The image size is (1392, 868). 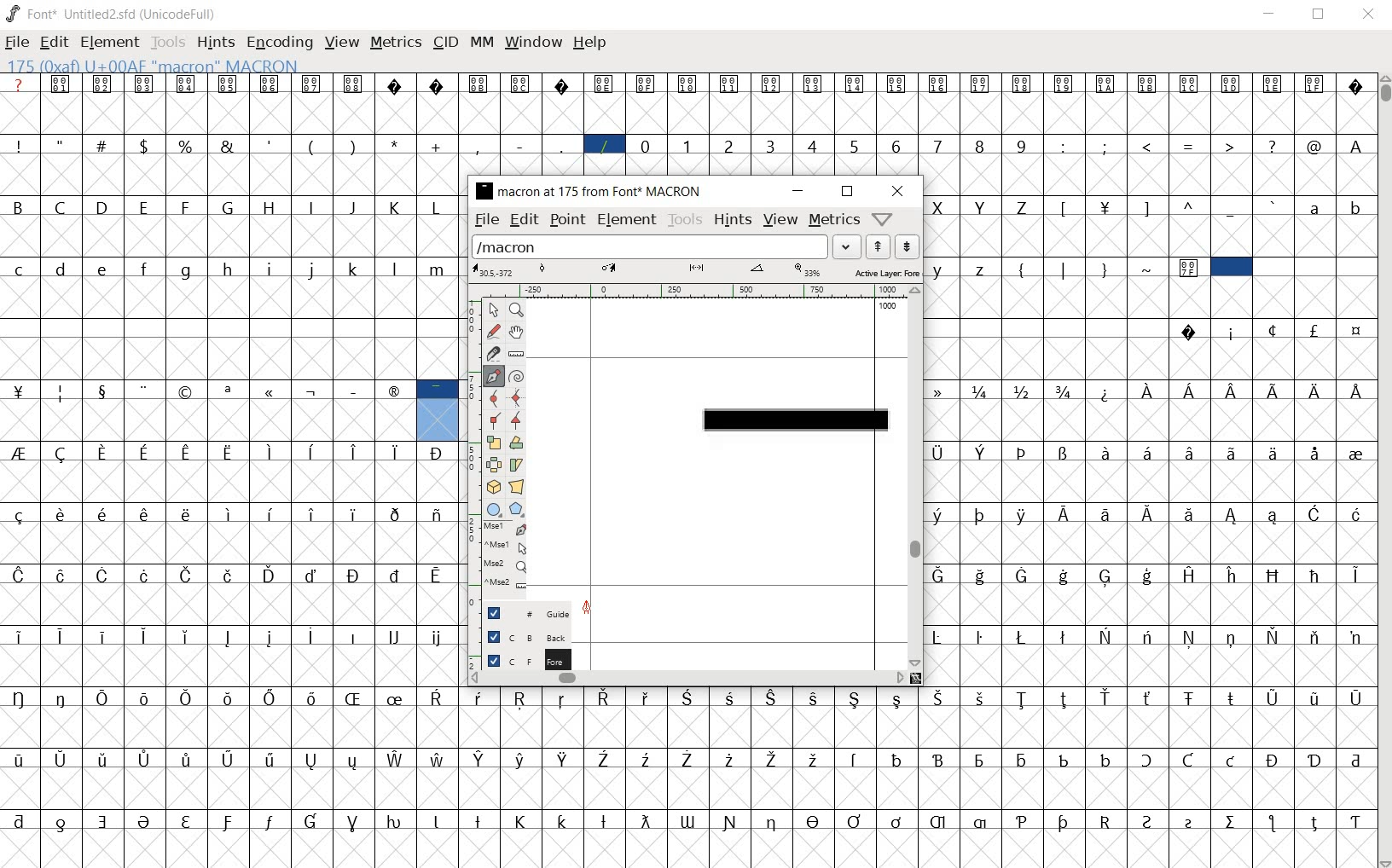 I want to click on Symbol, so click(x=1107, y=453).